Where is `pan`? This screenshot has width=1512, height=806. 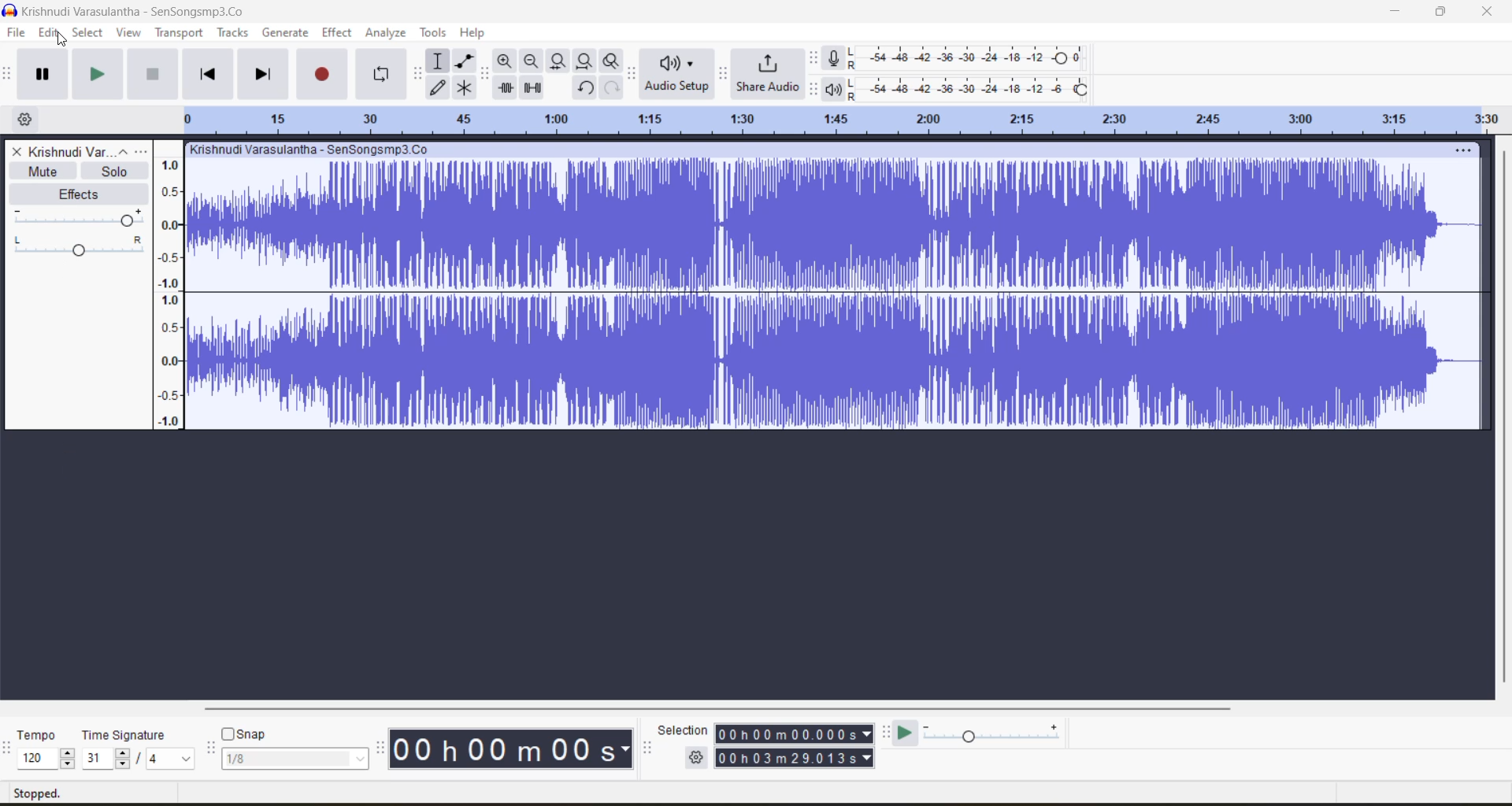
pan is located at coordinates (80, 218).